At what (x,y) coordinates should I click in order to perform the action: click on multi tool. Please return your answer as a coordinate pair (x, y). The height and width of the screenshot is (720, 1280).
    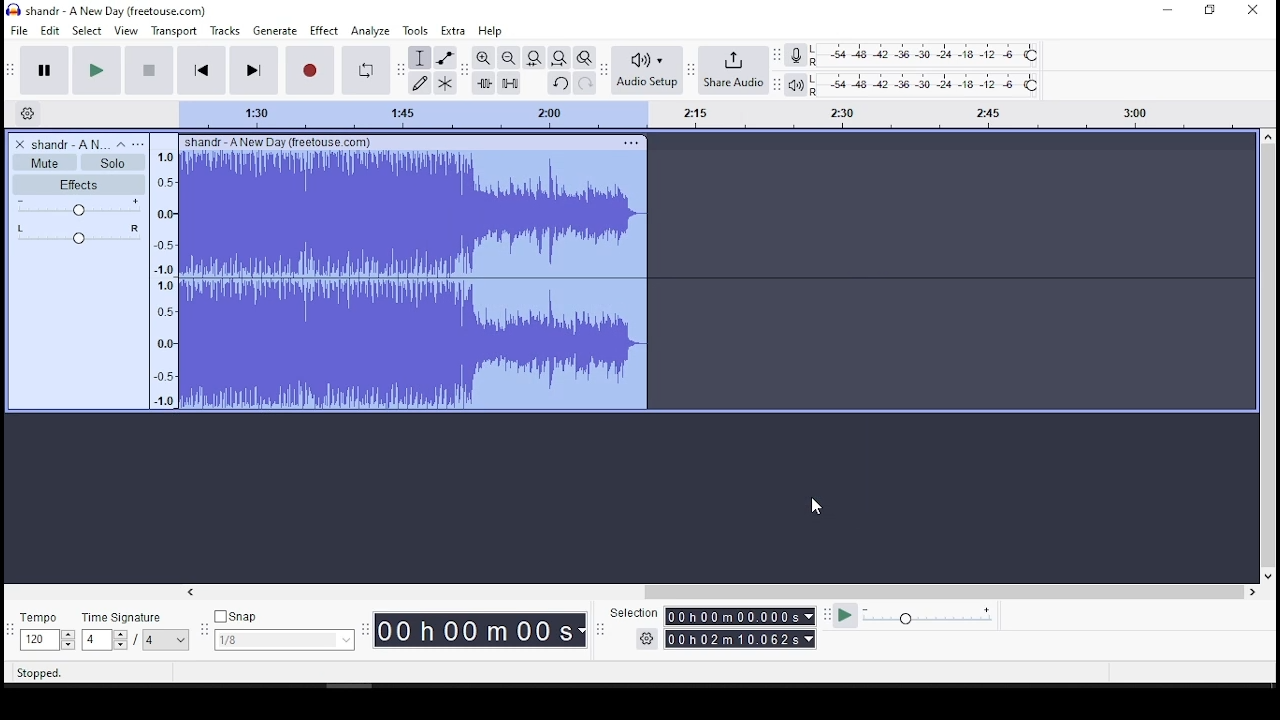
    Looking at the image, I should click on (446, 84).